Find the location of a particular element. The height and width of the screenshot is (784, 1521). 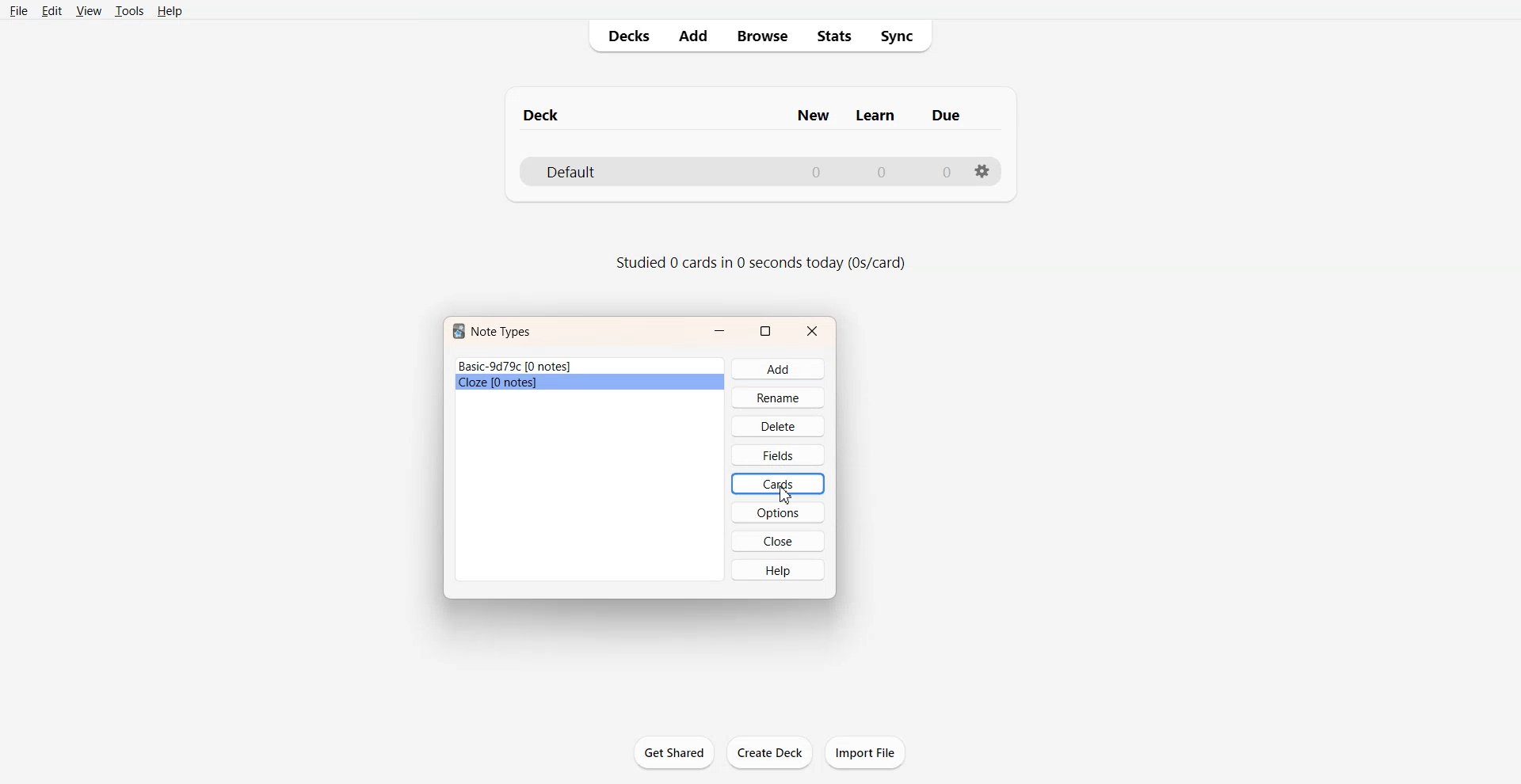

Browse is located at coordinates (761, 36).